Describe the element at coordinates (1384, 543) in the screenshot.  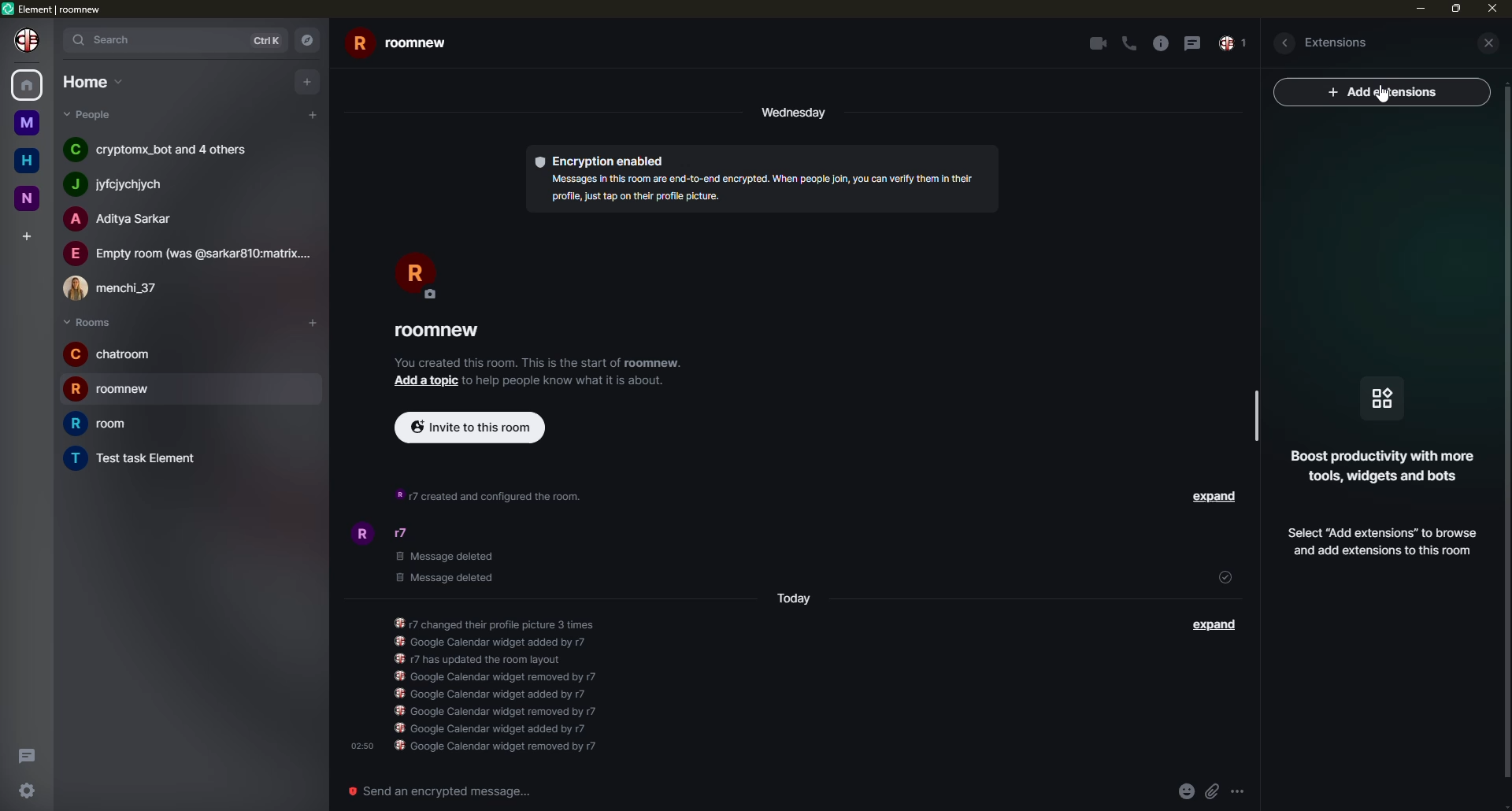
I see `add` at that location.